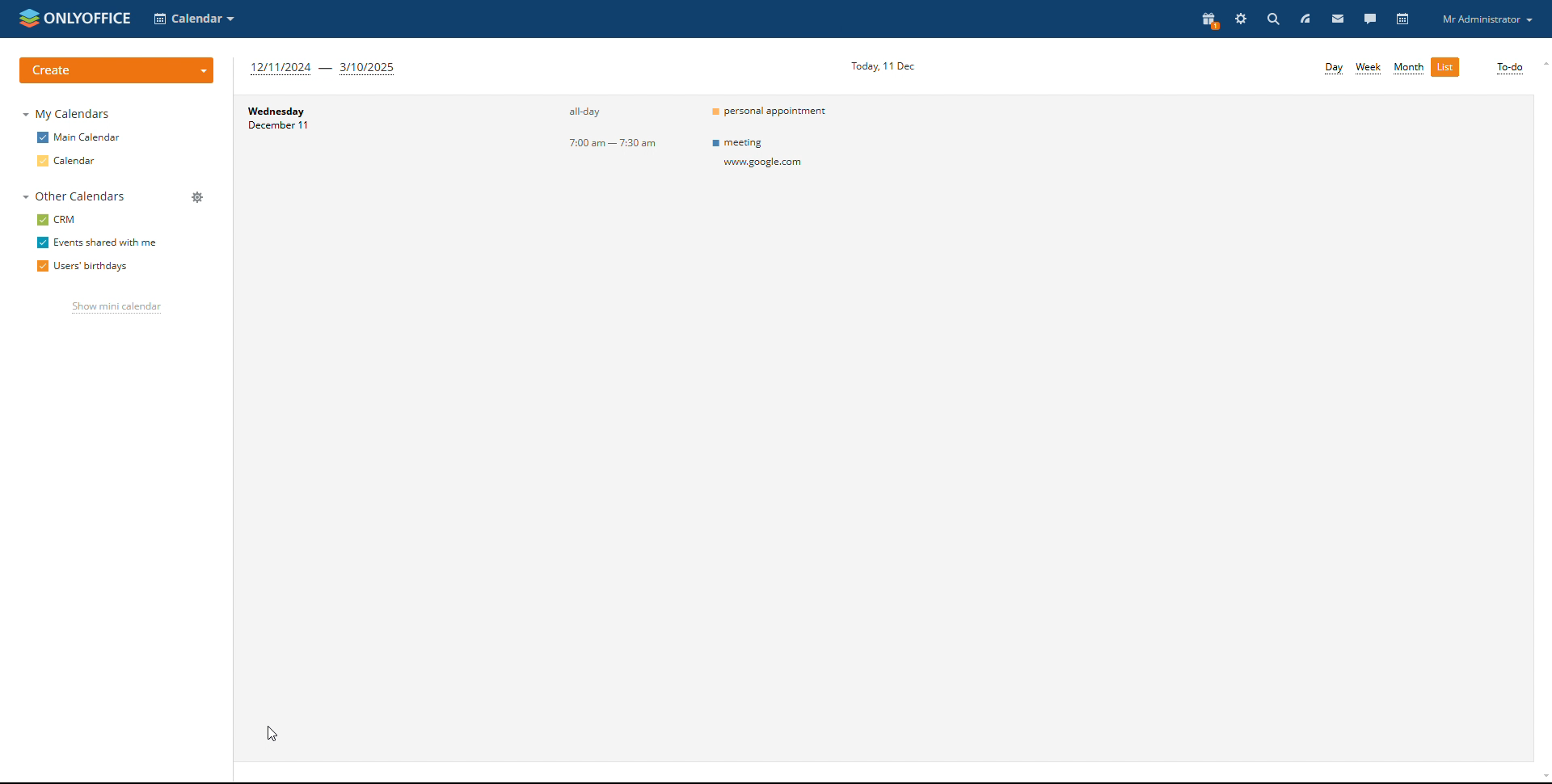 Image resolution: width=1552 pixels, height=784 pixels. Describe the element at coordinates (579, 141) in the screenshot. I see `event timing` at that location.